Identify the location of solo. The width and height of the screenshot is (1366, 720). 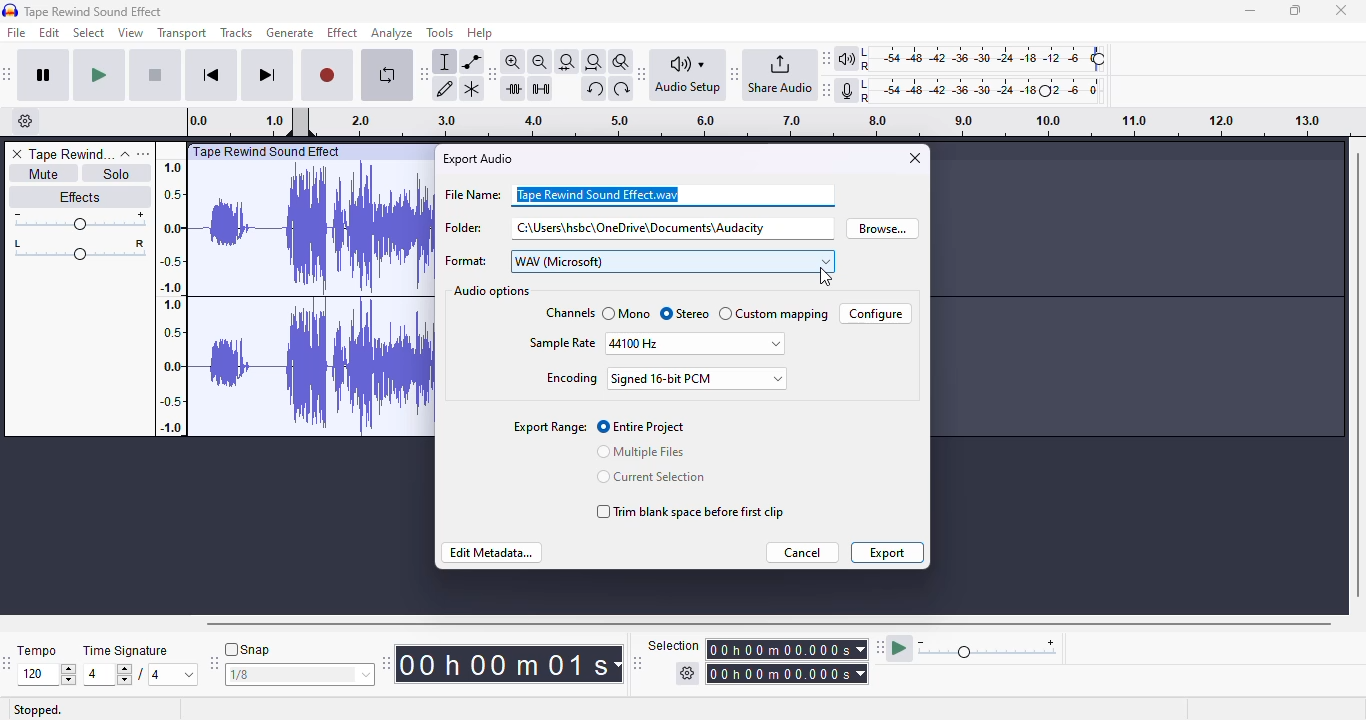
(120, 173).